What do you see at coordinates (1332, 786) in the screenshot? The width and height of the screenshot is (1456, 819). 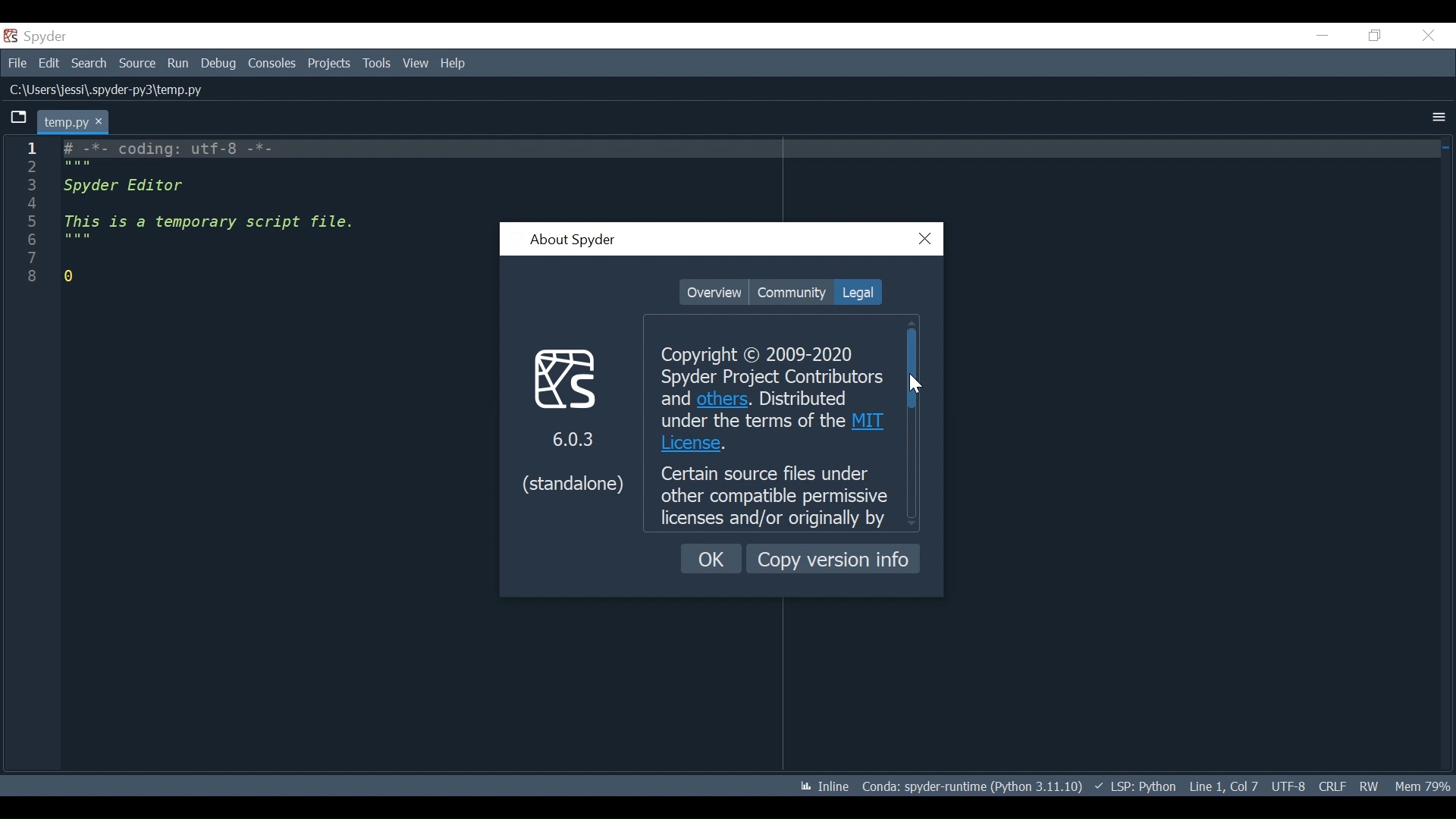 I see `CRLF` at bounding box center [1332, 786].